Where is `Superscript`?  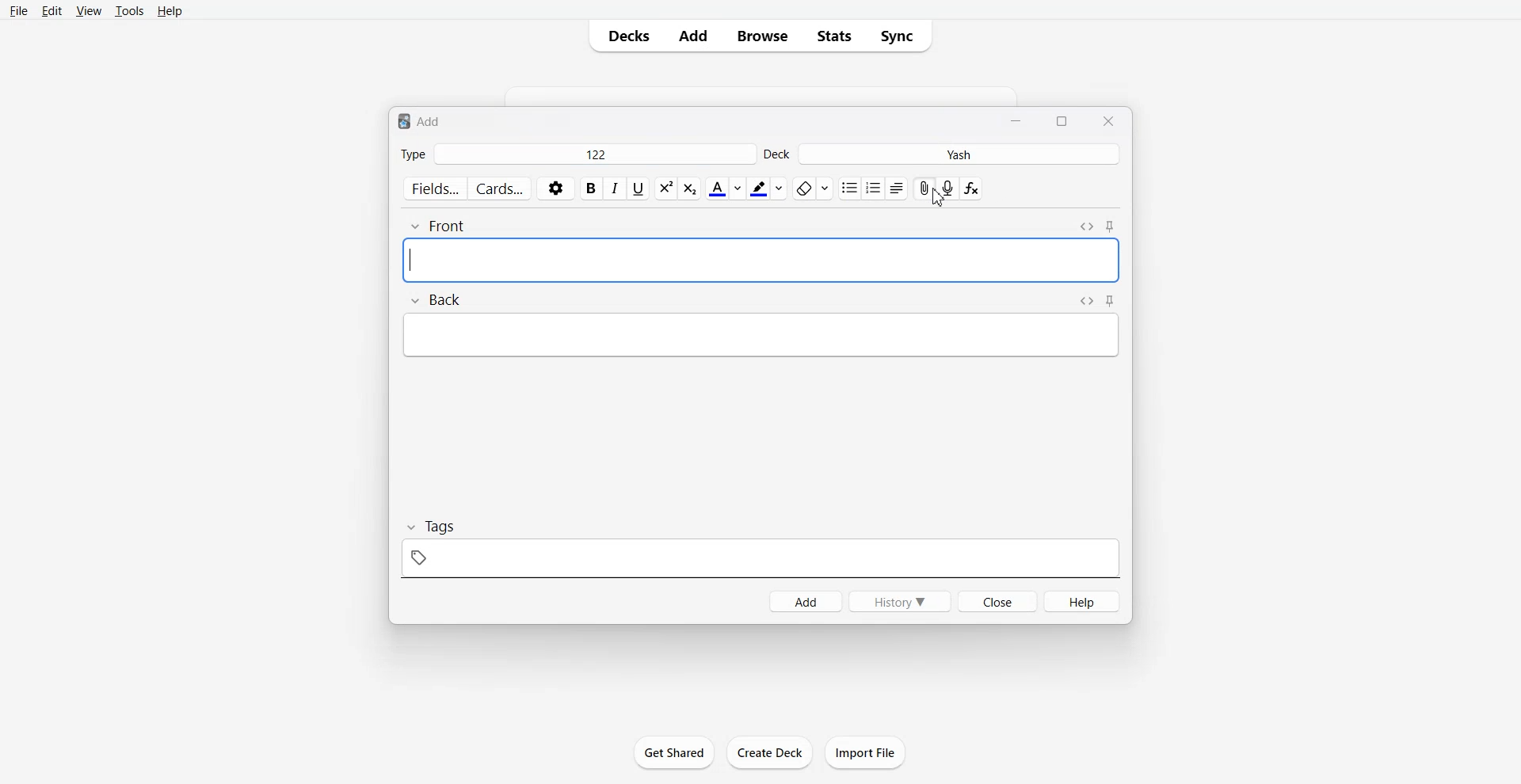
Superscript is located at coordinates (692, 188).